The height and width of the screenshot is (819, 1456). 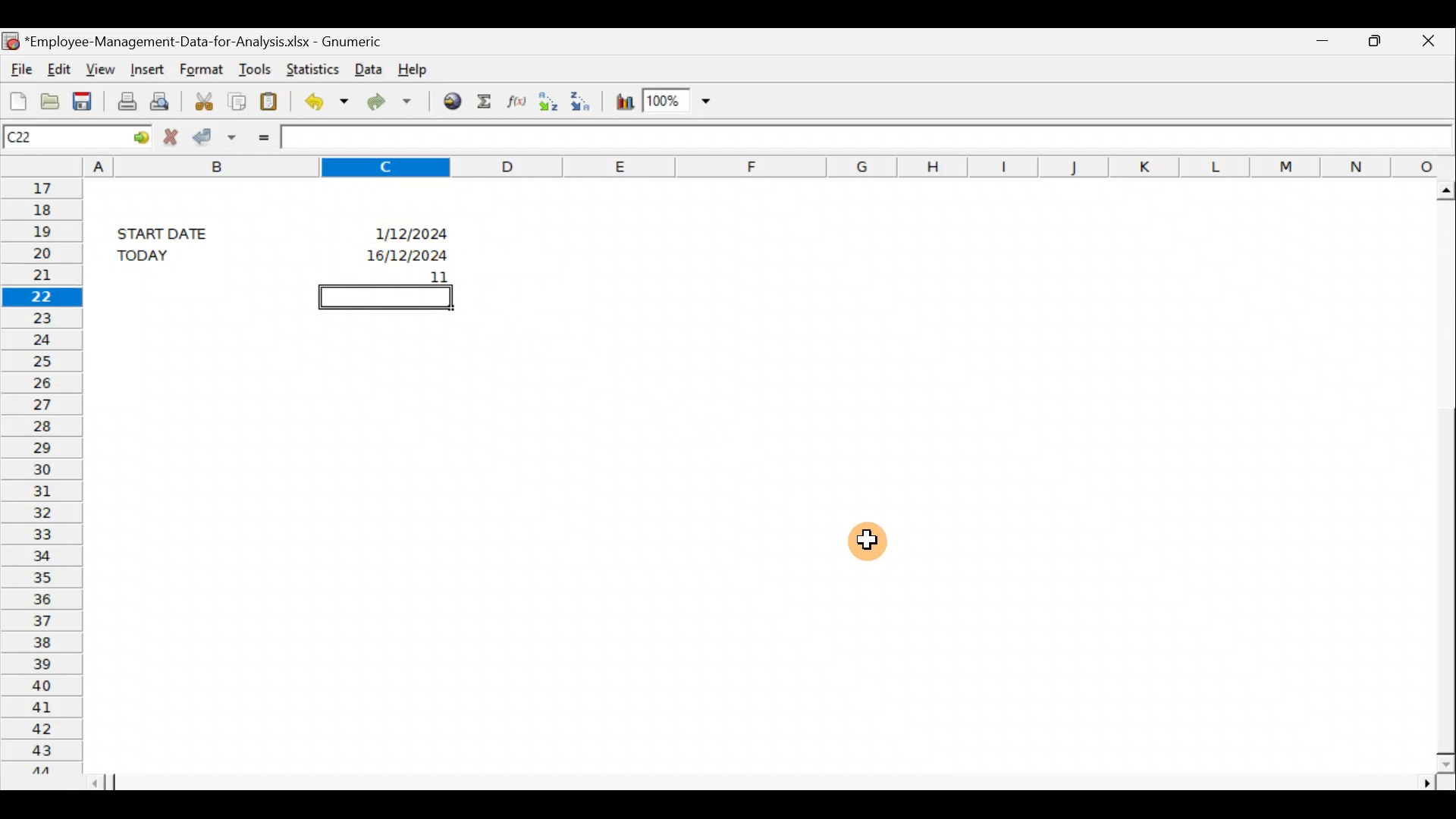 What do you see at coordinates (102, 68) in the screenshot?
I see `View` at bounding box center [102, 68].